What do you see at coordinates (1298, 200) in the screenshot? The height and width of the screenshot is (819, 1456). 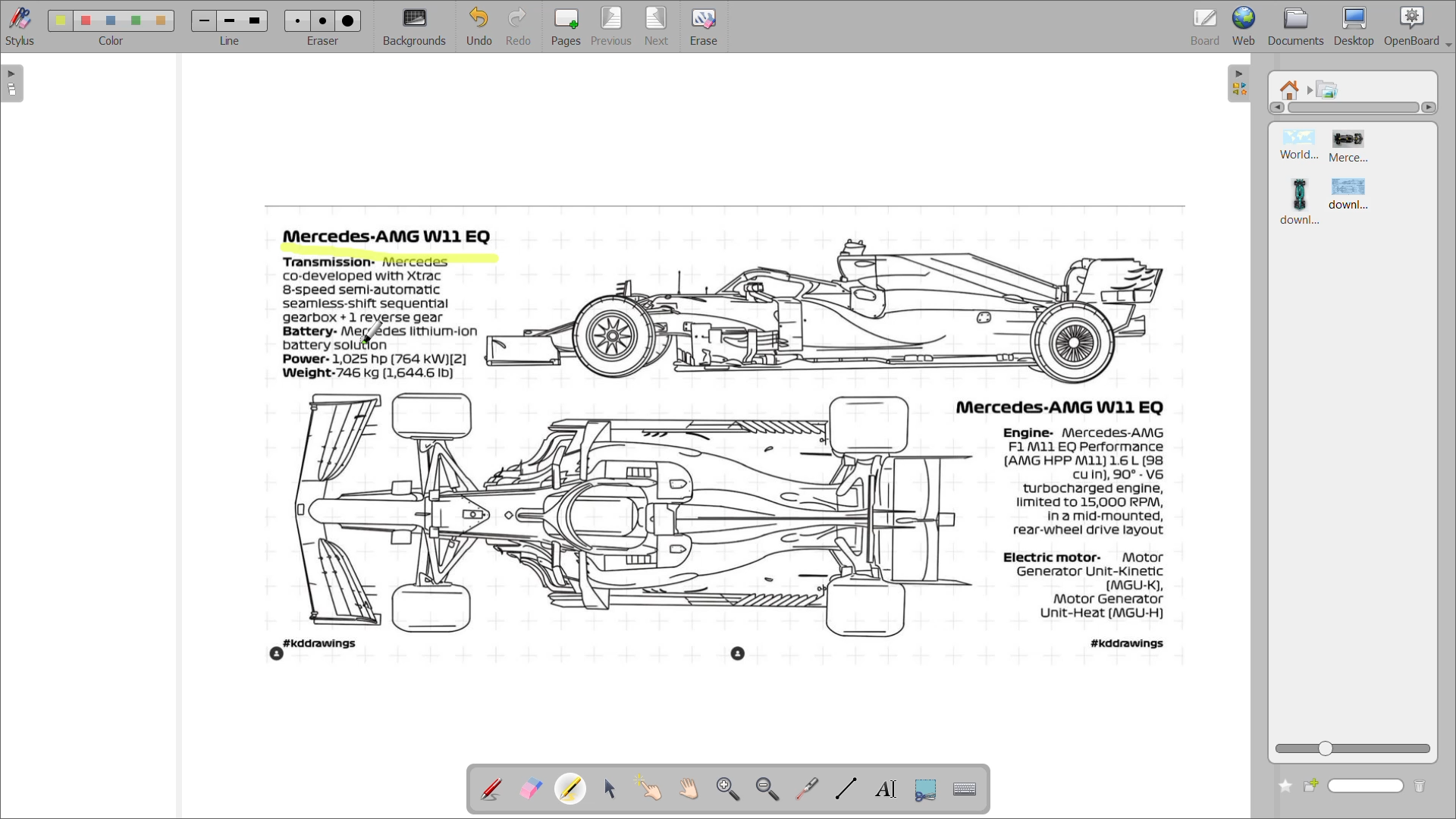 I see `image 3` at bounding box center [1298, 200].